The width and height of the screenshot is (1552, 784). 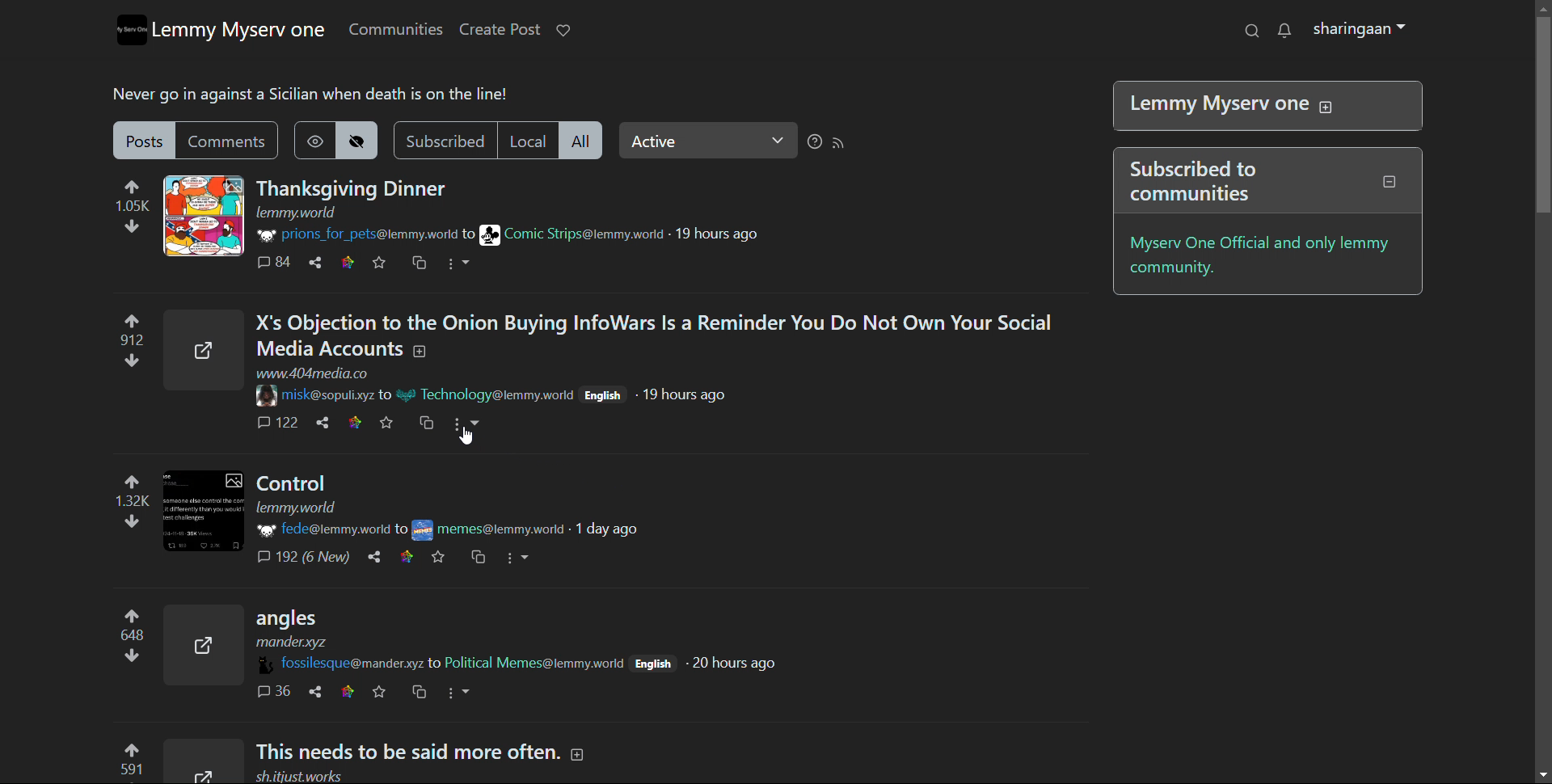 What do you see at coordinates (441, 557) in the screenshot?
I see `favorites` at bounding box center [441, 557].